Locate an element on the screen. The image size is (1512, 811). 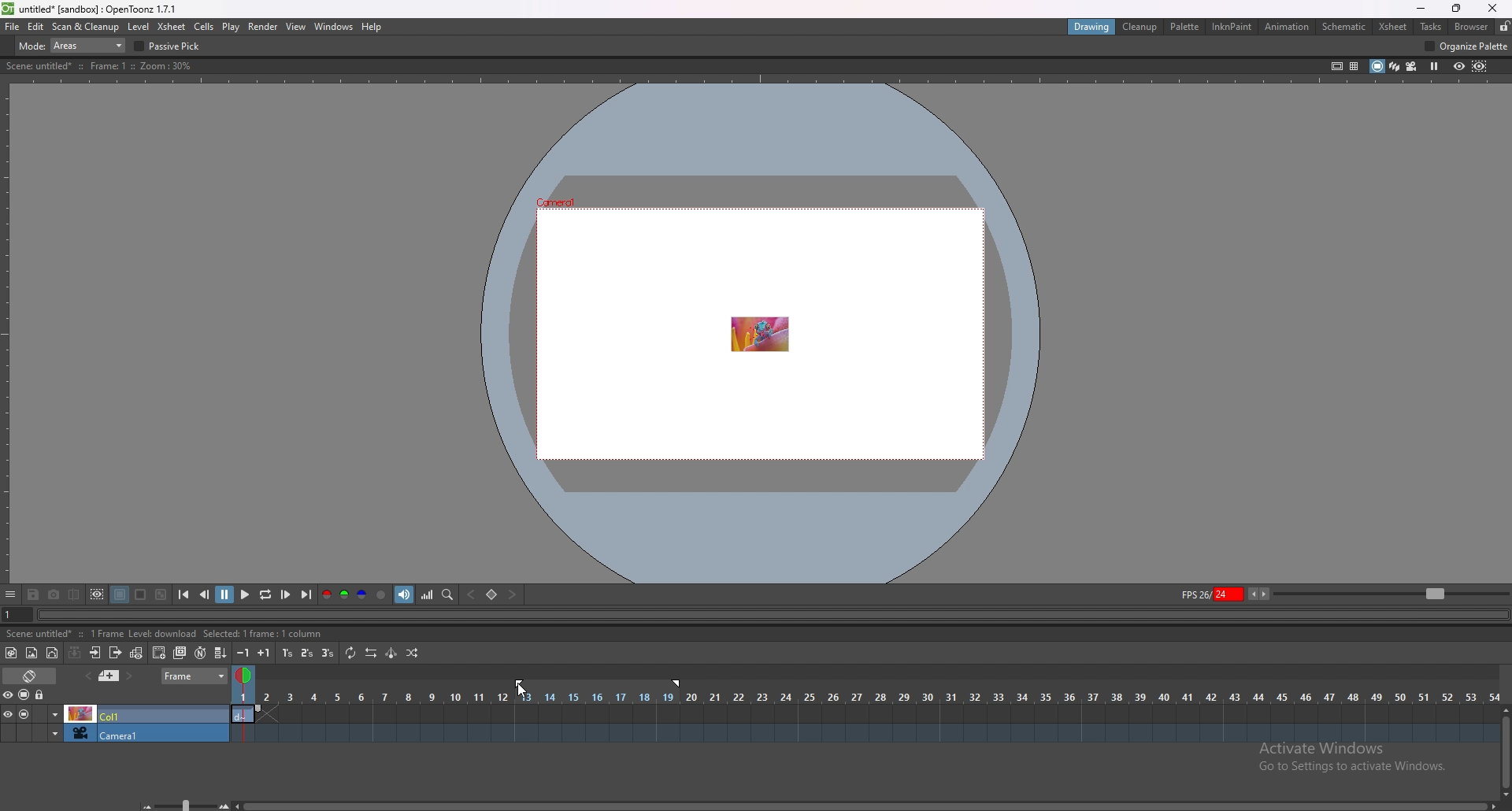
seek is located at coordinates (770, 616).